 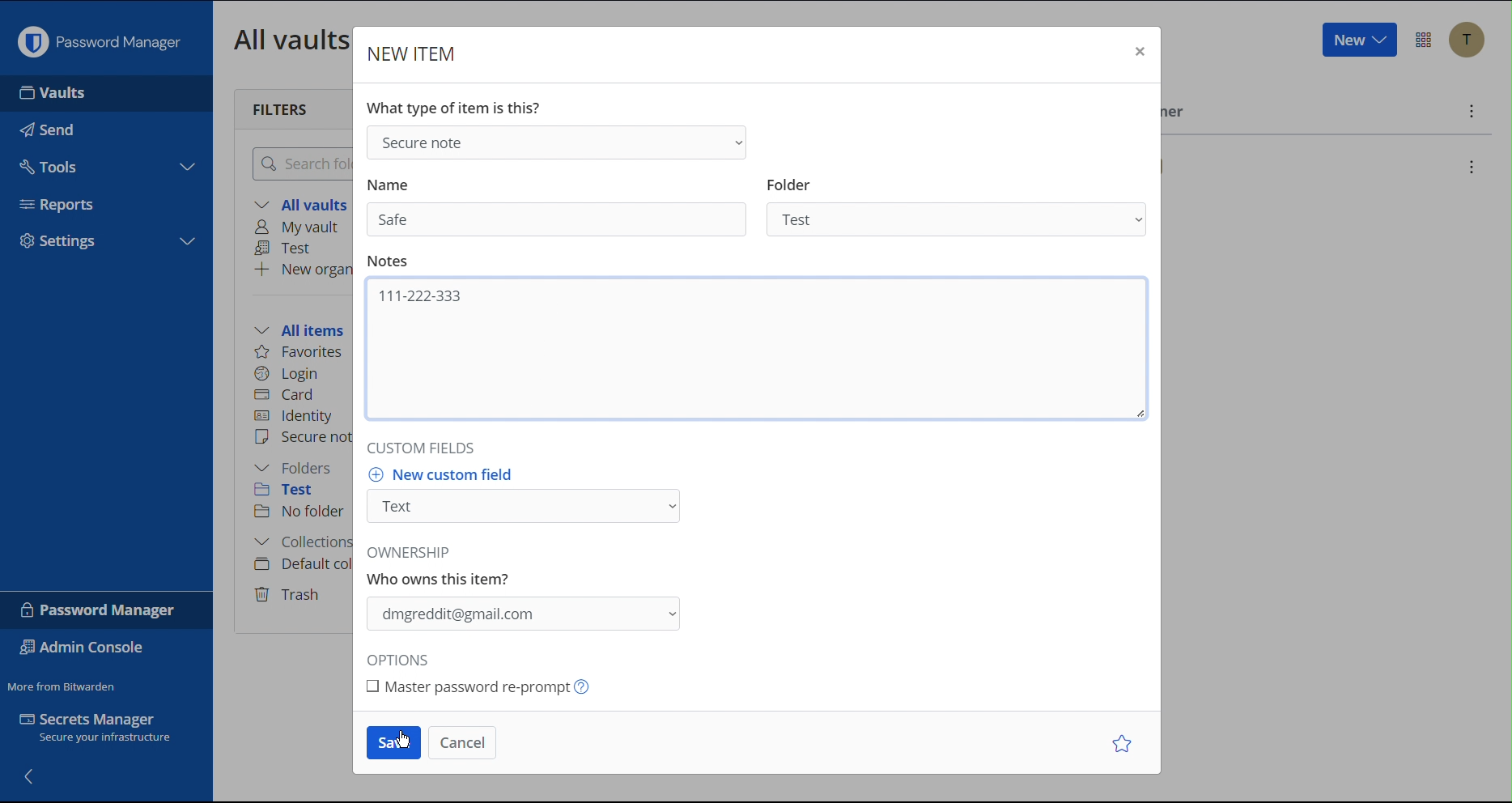 I want to click on Cursor, so click(x=560, y=306).